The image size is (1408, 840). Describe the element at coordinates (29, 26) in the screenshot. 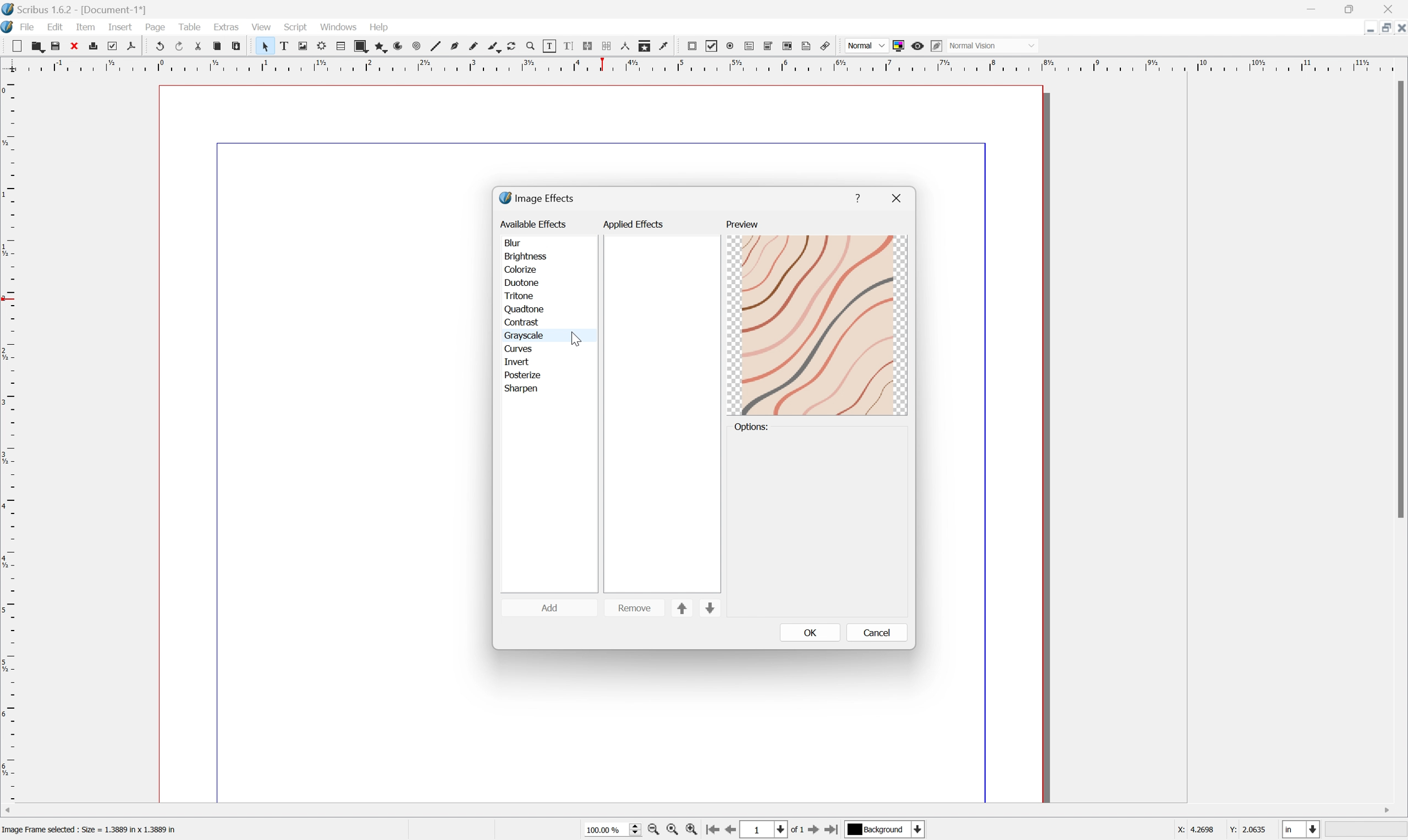

I see `File` at that location.